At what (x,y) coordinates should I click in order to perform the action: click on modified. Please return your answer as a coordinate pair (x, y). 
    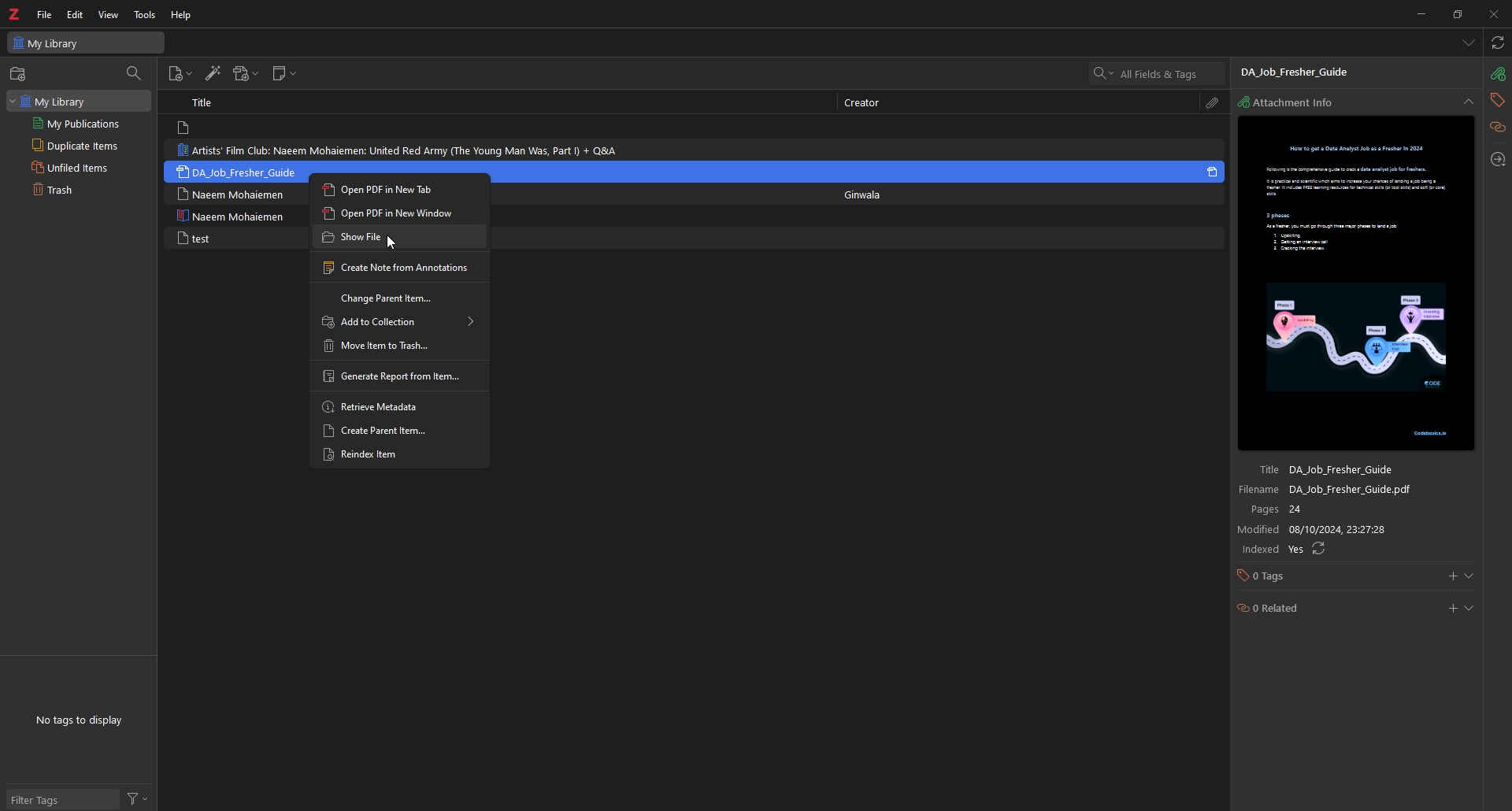
    Looking at the image, I should click on (1346, 530).